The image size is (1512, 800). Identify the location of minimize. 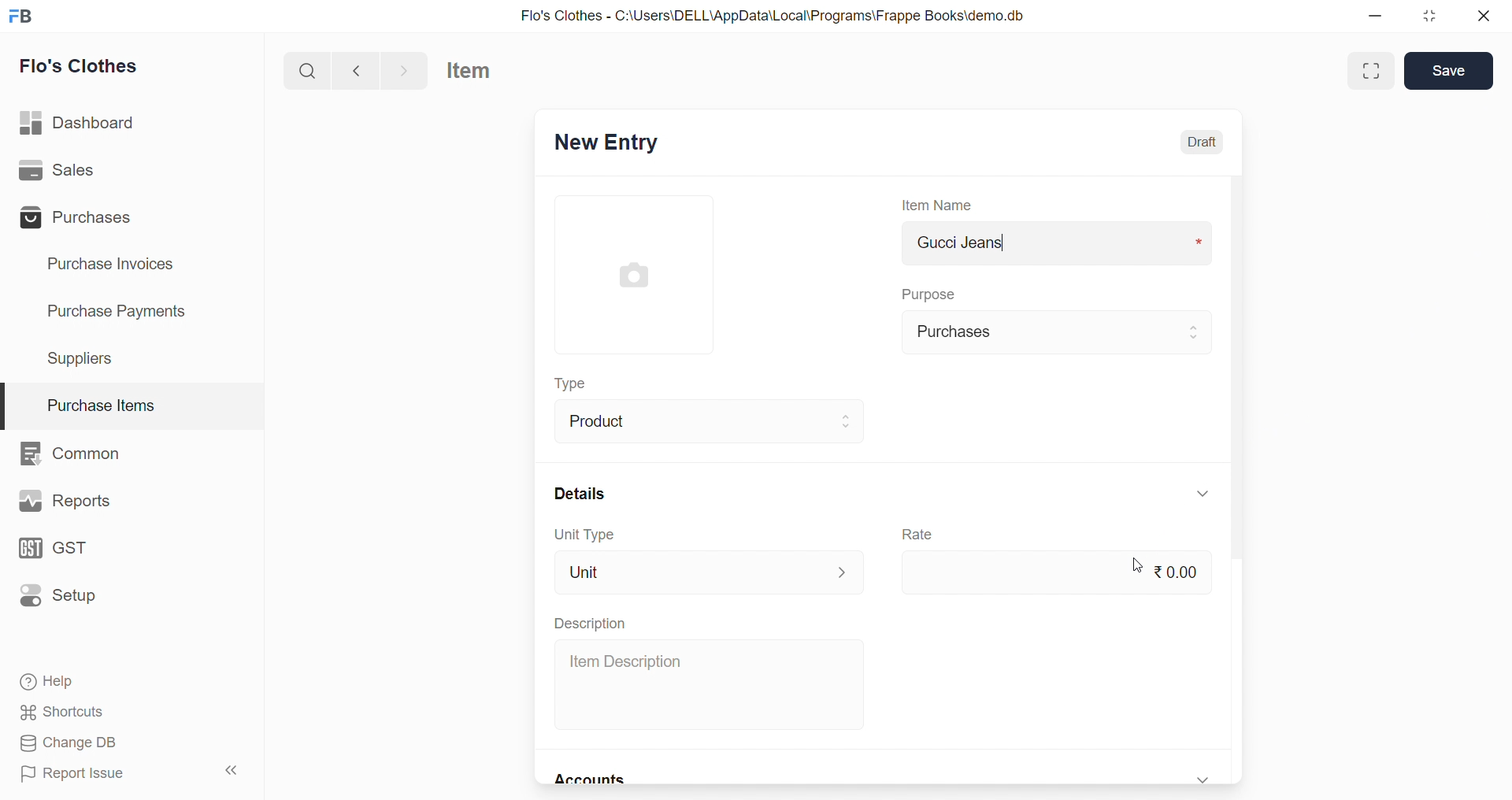
(1381, 16).